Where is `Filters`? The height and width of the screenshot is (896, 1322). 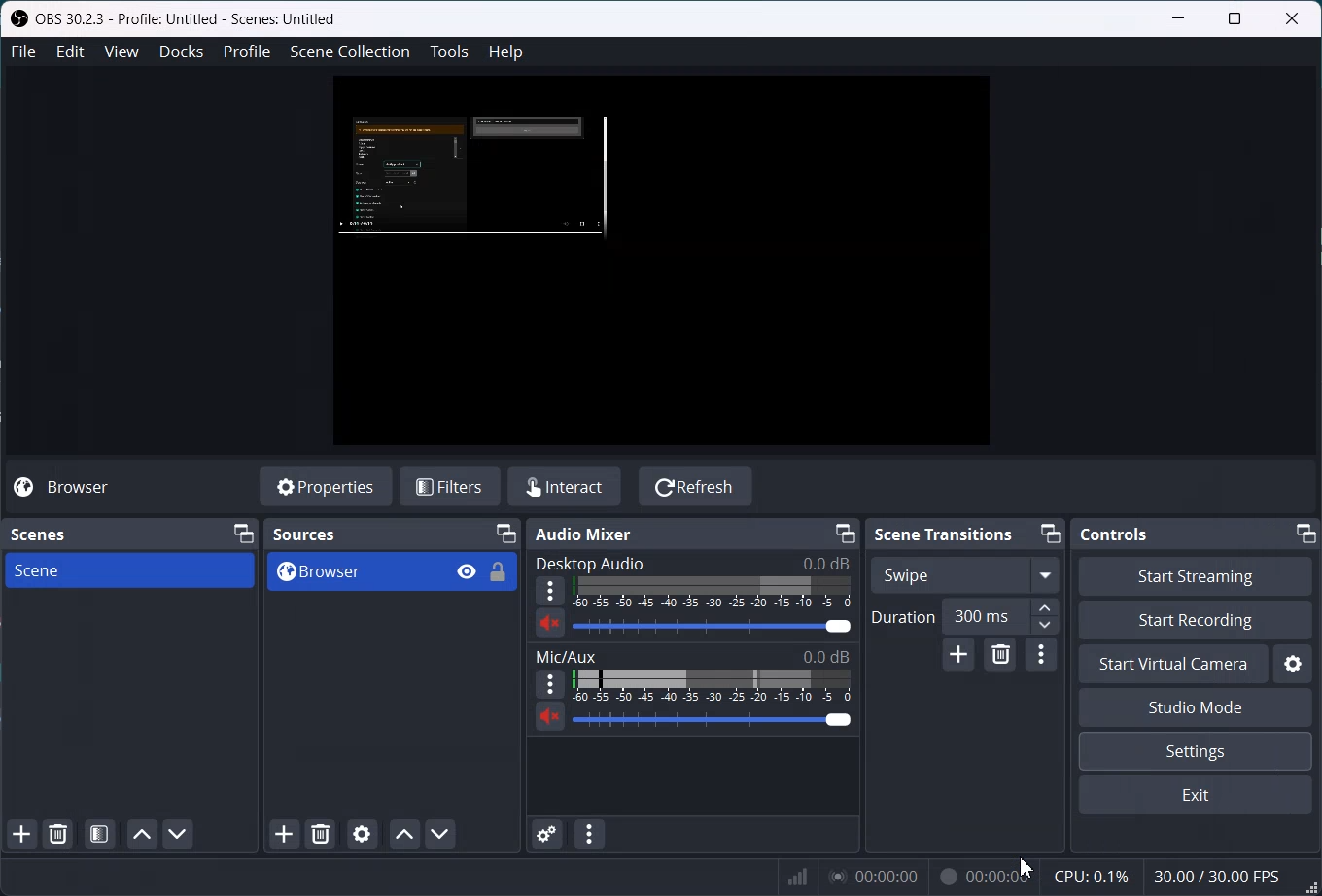
Filters is located at coordinates (450, 486).